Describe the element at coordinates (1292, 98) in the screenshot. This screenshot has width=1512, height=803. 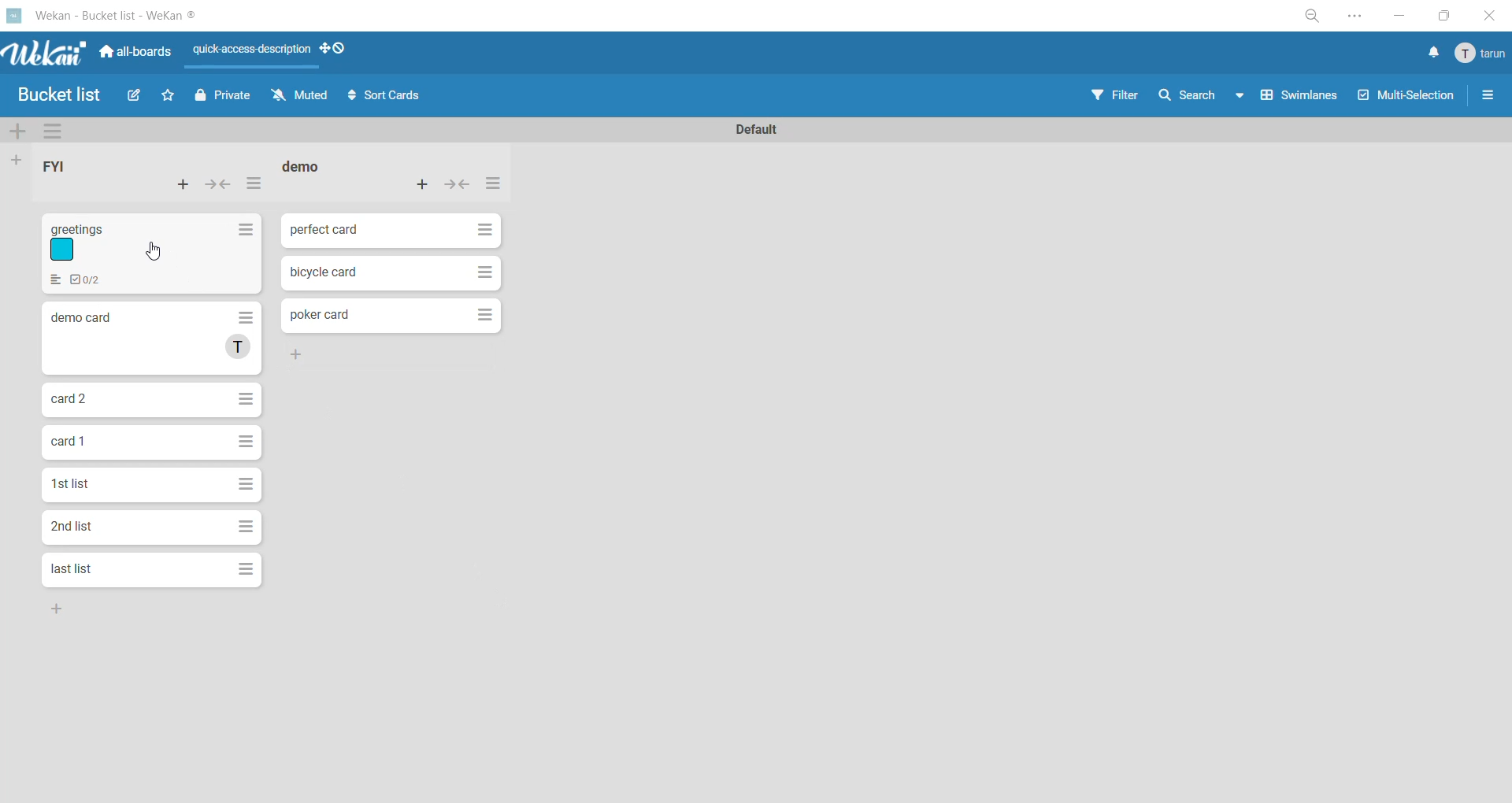
I see `swimlanes` at that location.